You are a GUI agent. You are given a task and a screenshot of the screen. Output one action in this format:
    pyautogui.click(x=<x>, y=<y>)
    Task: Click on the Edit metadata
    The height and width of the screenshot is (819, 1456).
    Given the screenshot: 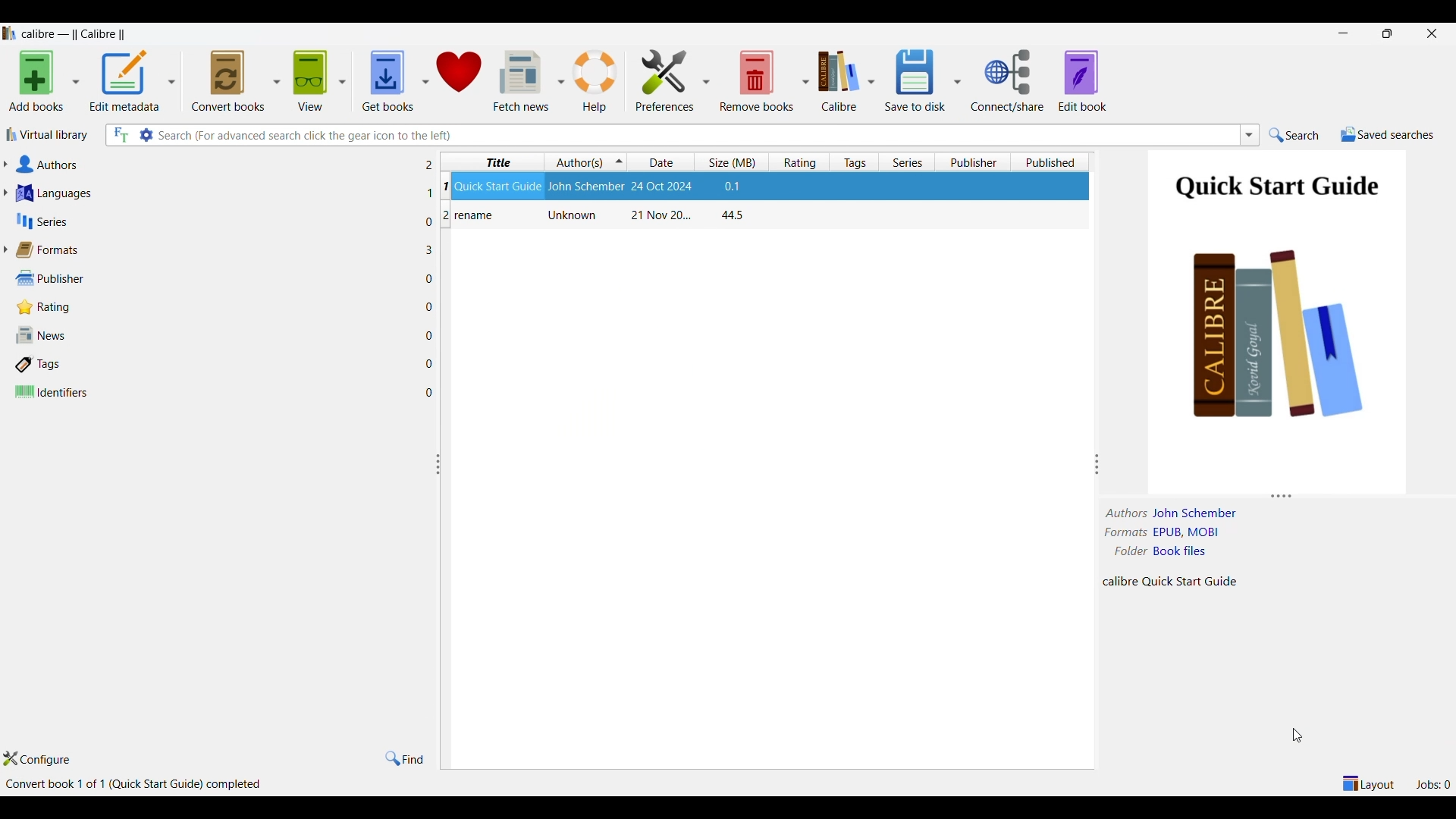 What is the action you would take?
    pyautogui.click(x=125, y=82)
    